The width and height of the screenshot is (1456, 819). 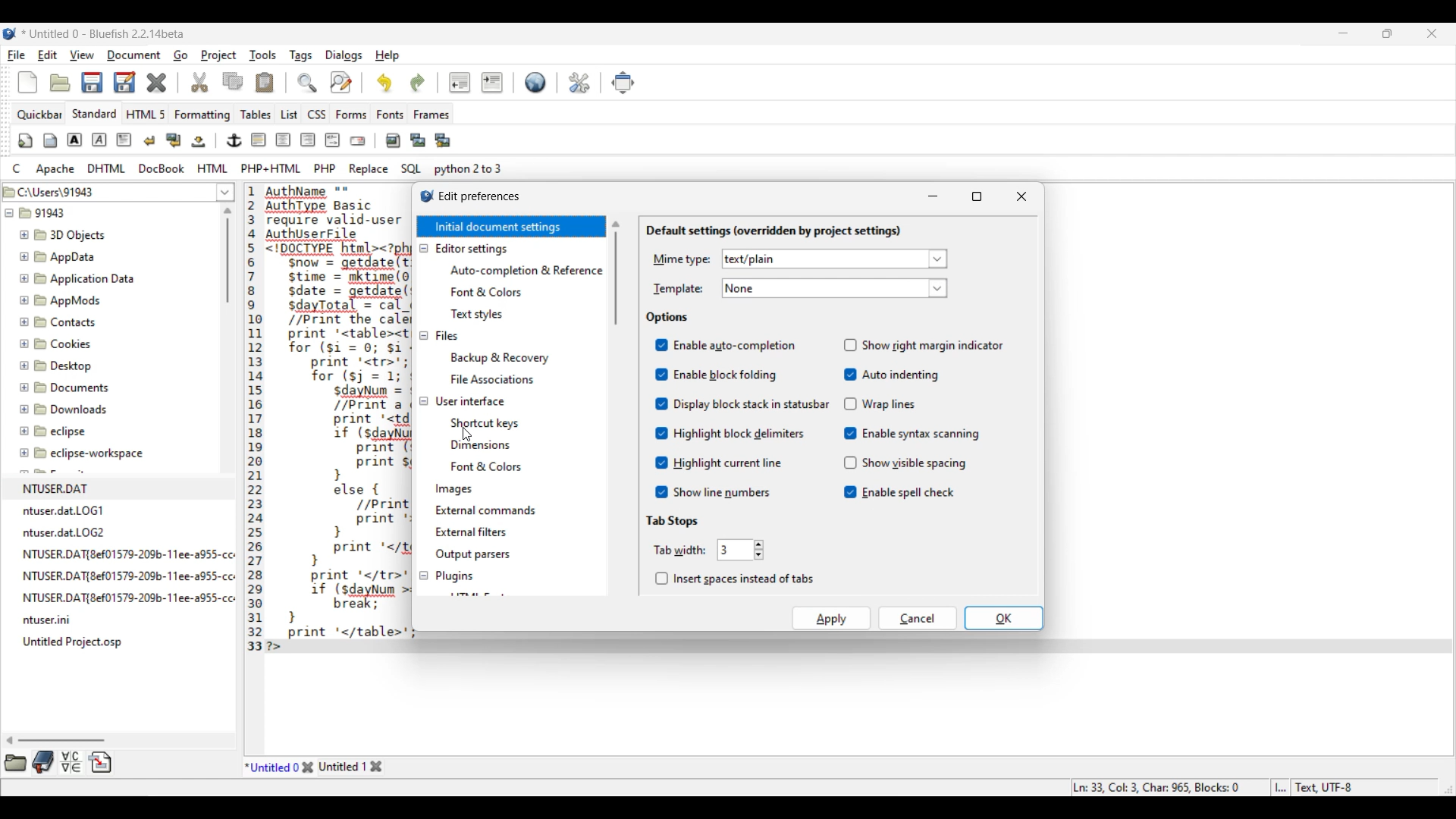 I want to click on Contacts, so click(x=65, y=322).